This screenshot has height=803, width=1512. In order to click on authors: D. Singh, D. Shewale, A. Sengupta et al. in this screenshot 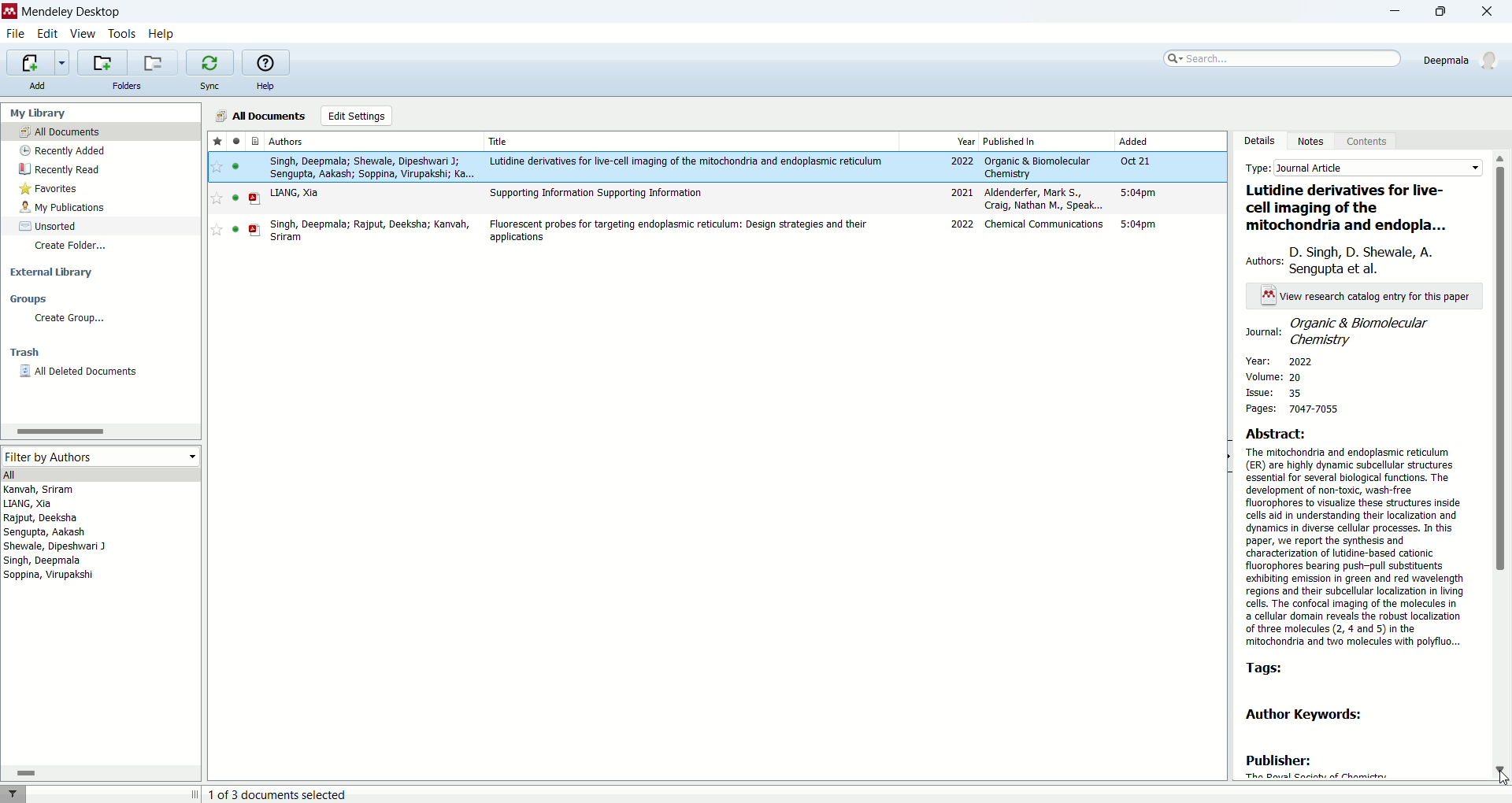, I will do `click(1360, 256)`.